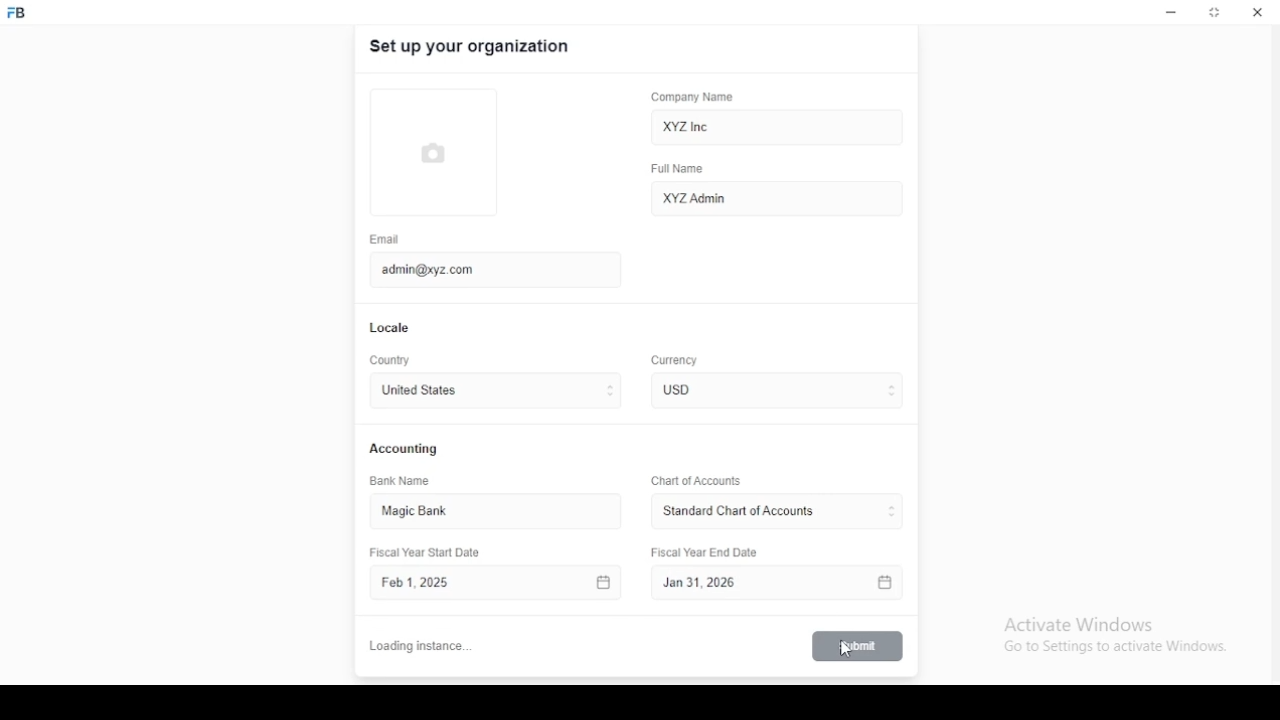 The height and width of the screenshot is (720, 1280). I want to click on close window, so click(1255, 12).